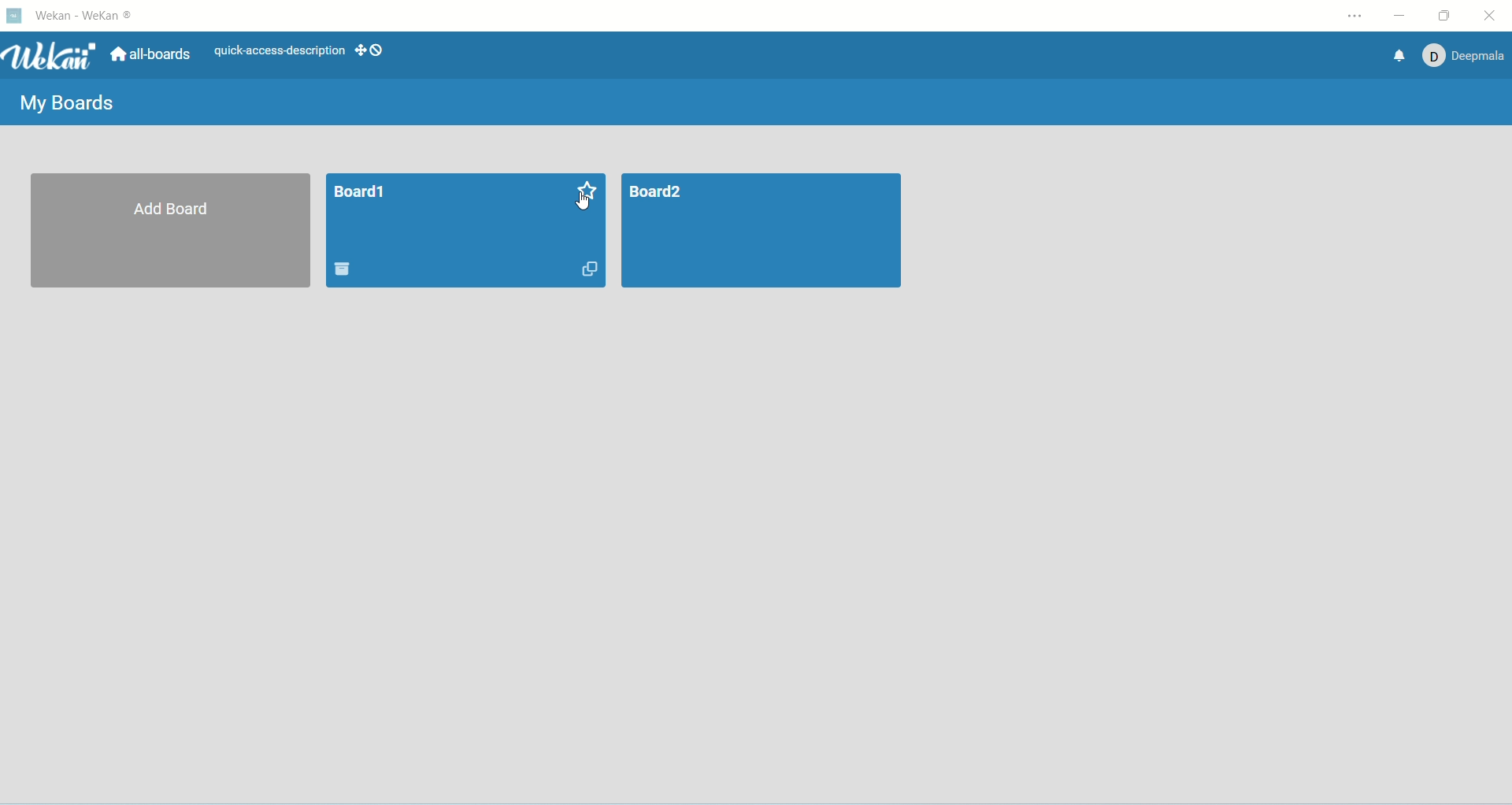 This screenshot has width=1512, height=805. Describe the element at coordinates (1400, 17) in the screenshot. I see `minimize` at that location.